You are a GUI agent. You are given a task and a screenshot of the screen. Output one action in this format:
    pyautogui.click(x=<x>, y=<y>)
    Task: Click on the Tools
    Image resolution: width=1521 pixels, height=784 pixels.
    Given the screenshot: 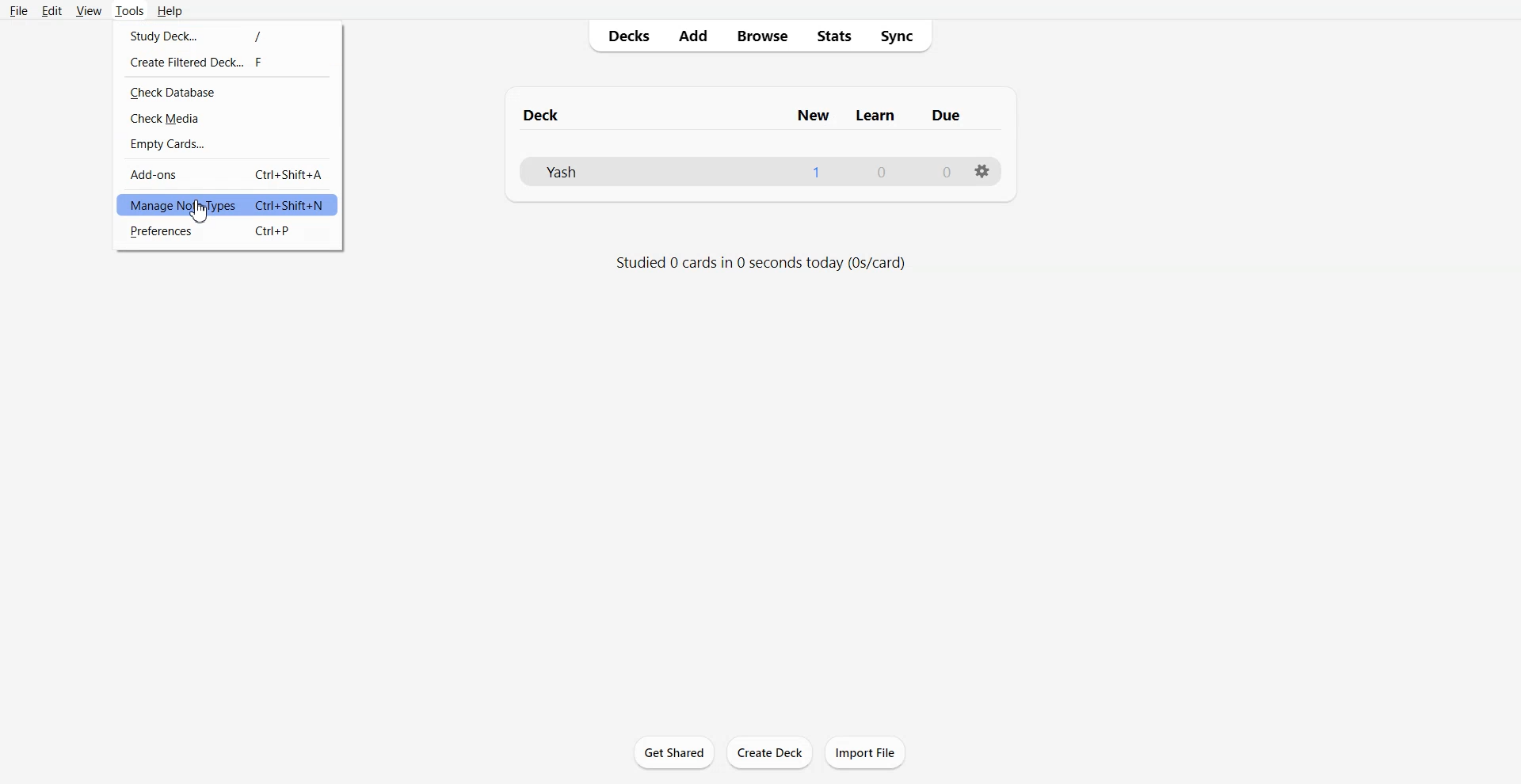 What is the action you would take?
    pyautogui.click(x=130, y=10)
    